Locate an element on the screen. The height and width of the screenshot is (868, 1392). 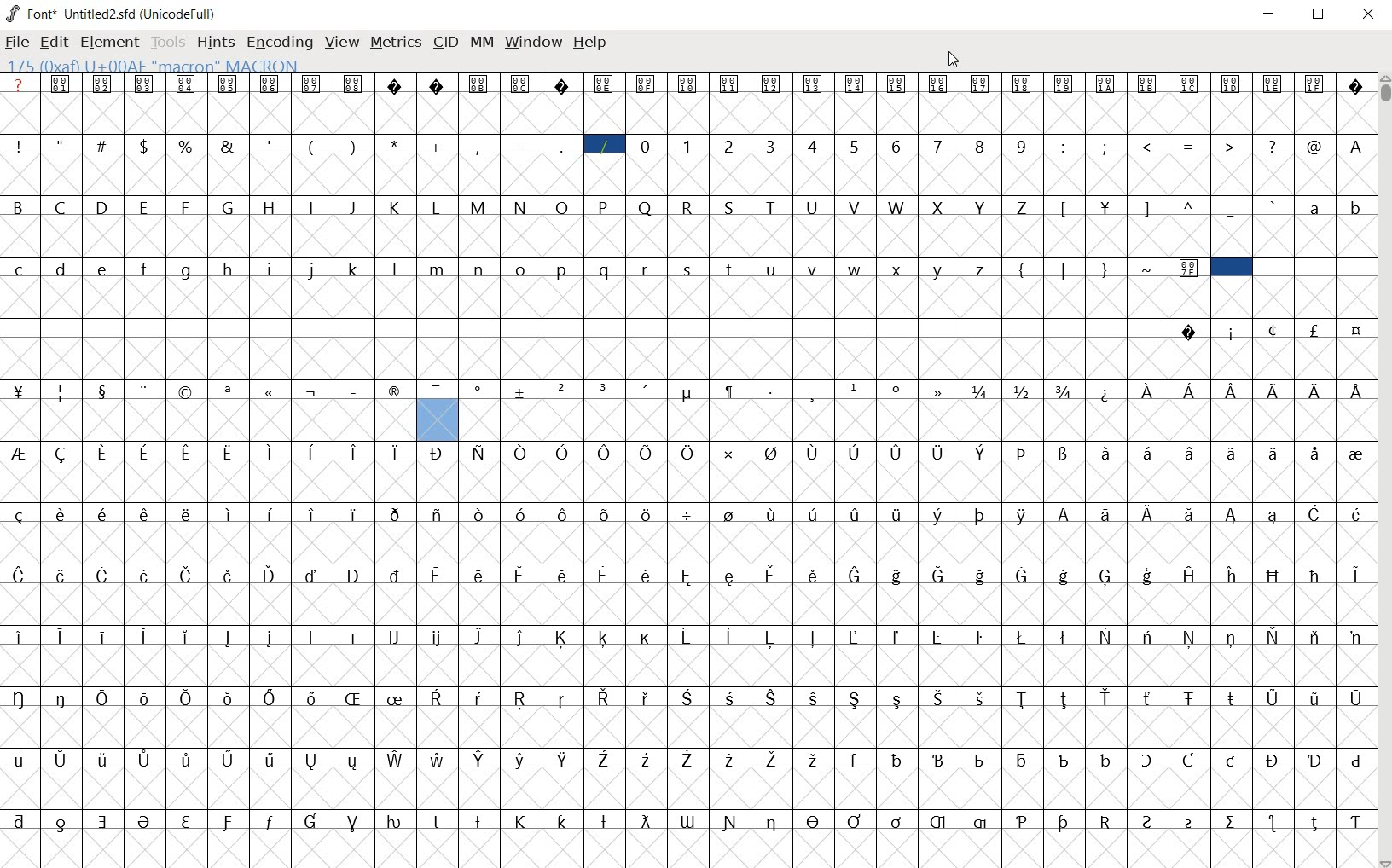
Symbol is located at coordinates (940, 84).